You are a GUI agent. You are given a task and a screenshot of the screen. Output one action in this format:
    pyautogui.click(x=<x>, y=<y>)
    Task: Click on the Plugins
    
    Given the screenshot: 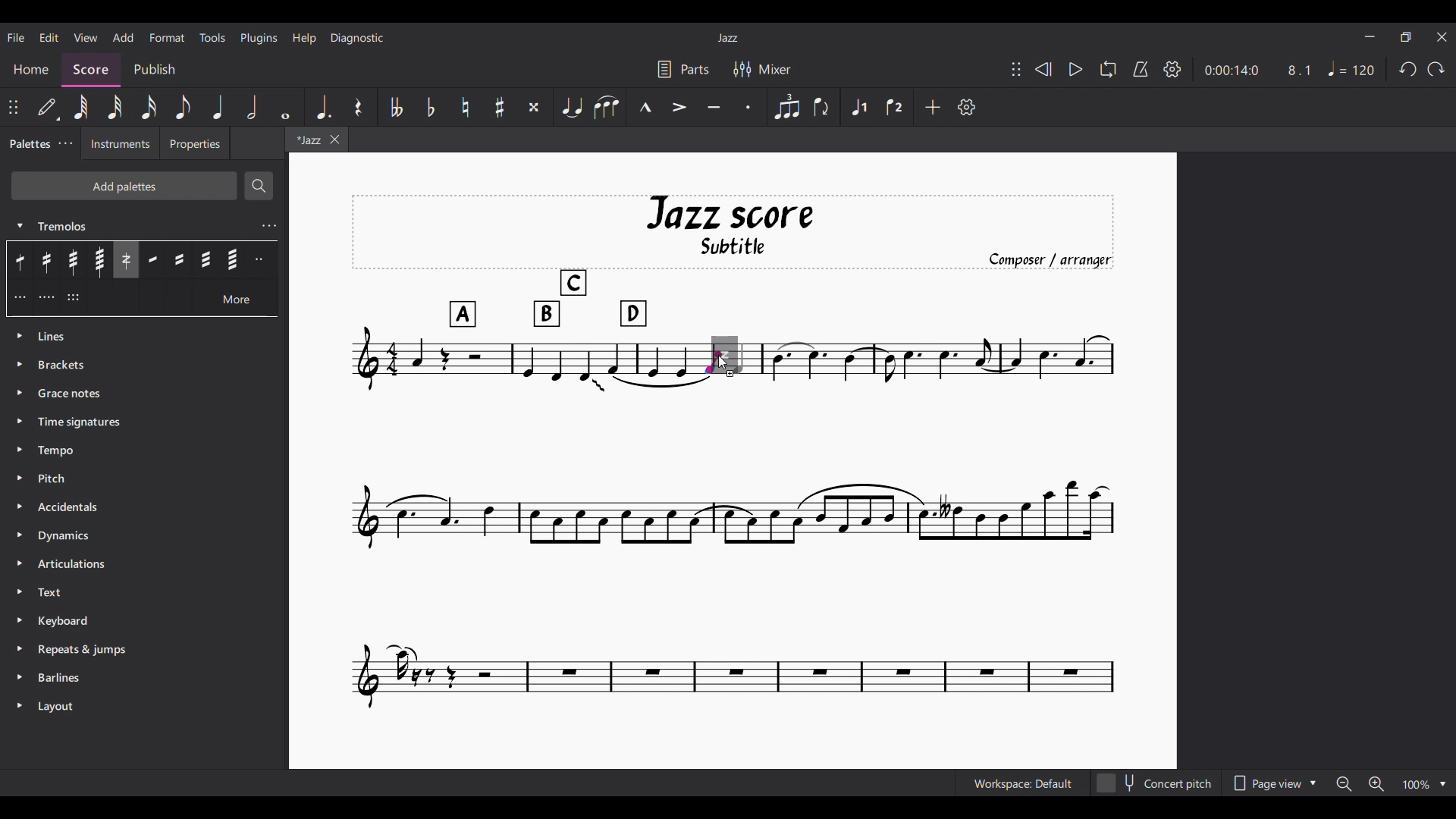 What is the action you would take?
    pyautogui.click(x=259, y=39)
    